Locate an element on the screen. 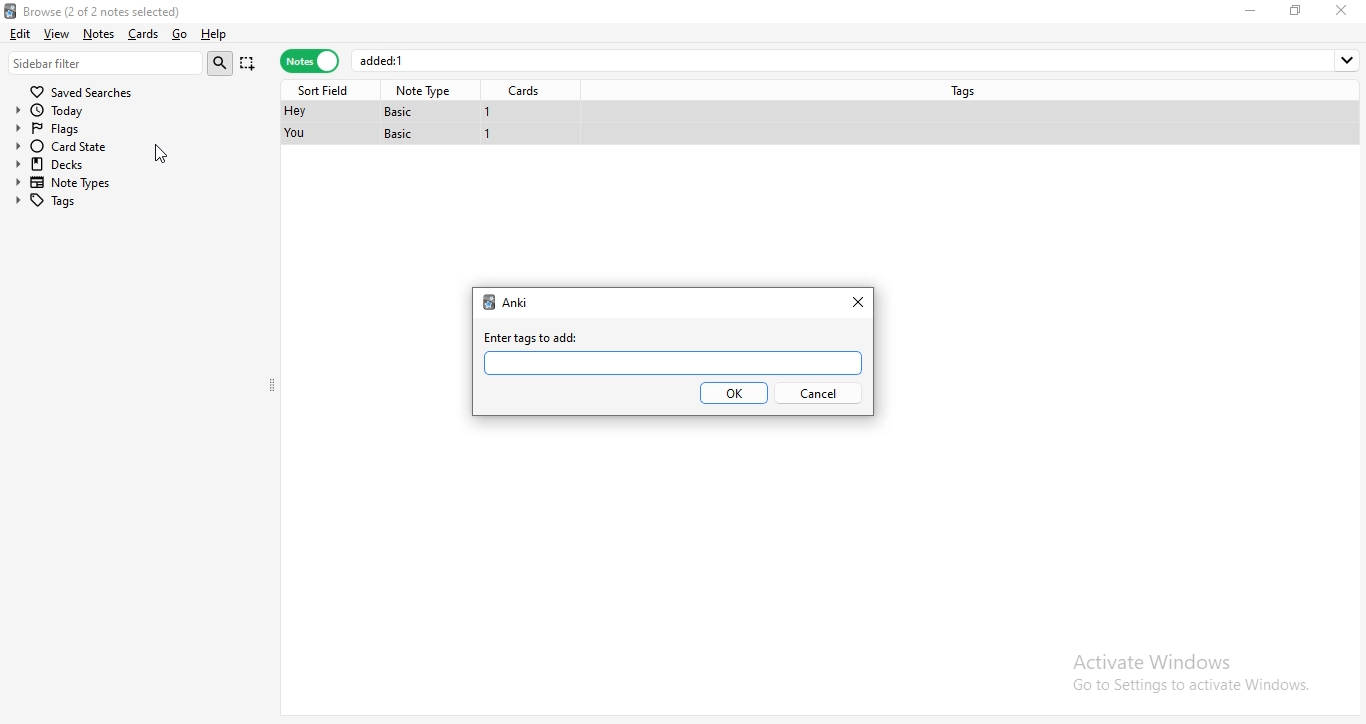 The height and width of the screenshot is (724, 1366). notes is located at coordinates (309, 62).